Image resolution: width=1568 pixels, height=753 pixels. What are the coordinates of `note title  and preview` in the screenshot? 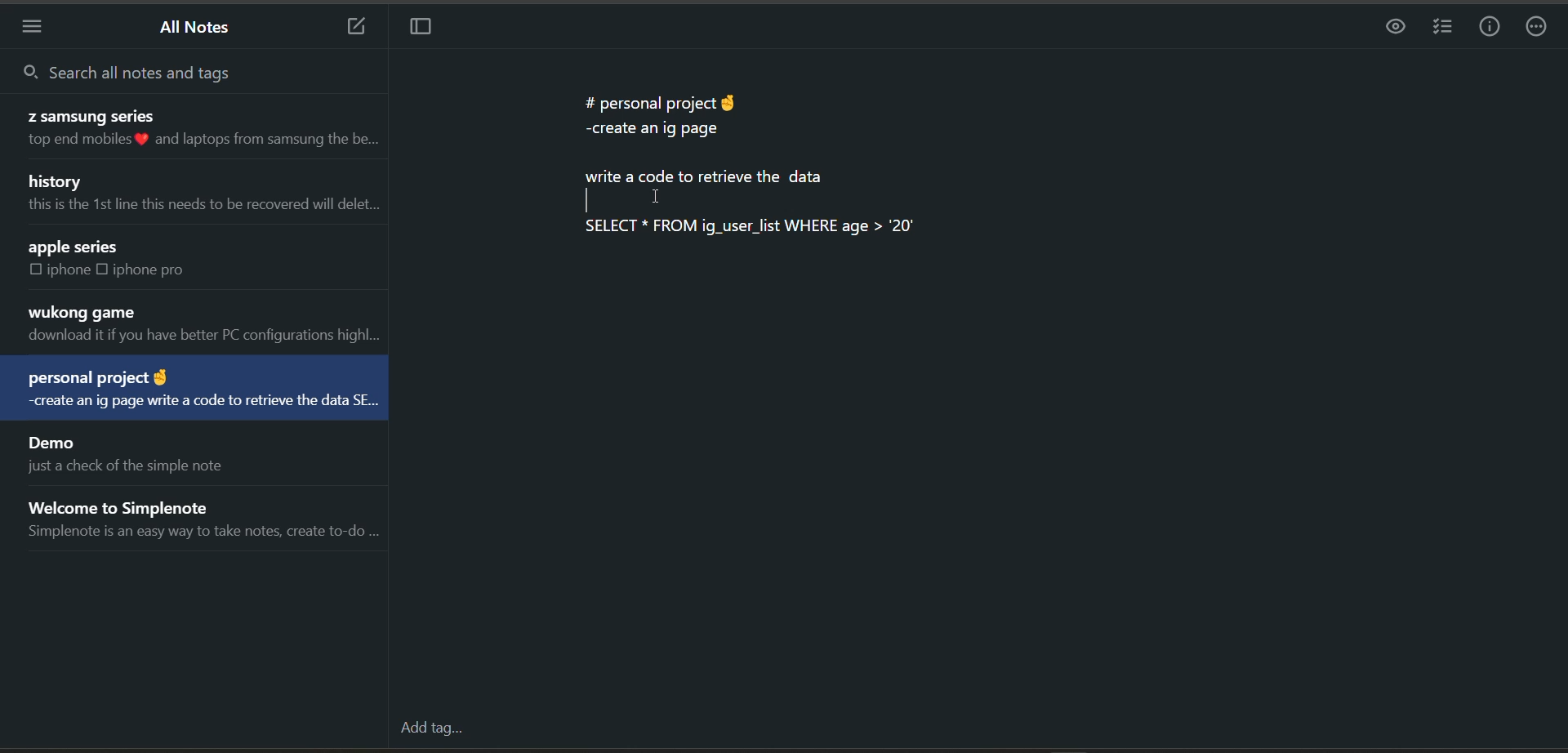 It's located at (122, 453).